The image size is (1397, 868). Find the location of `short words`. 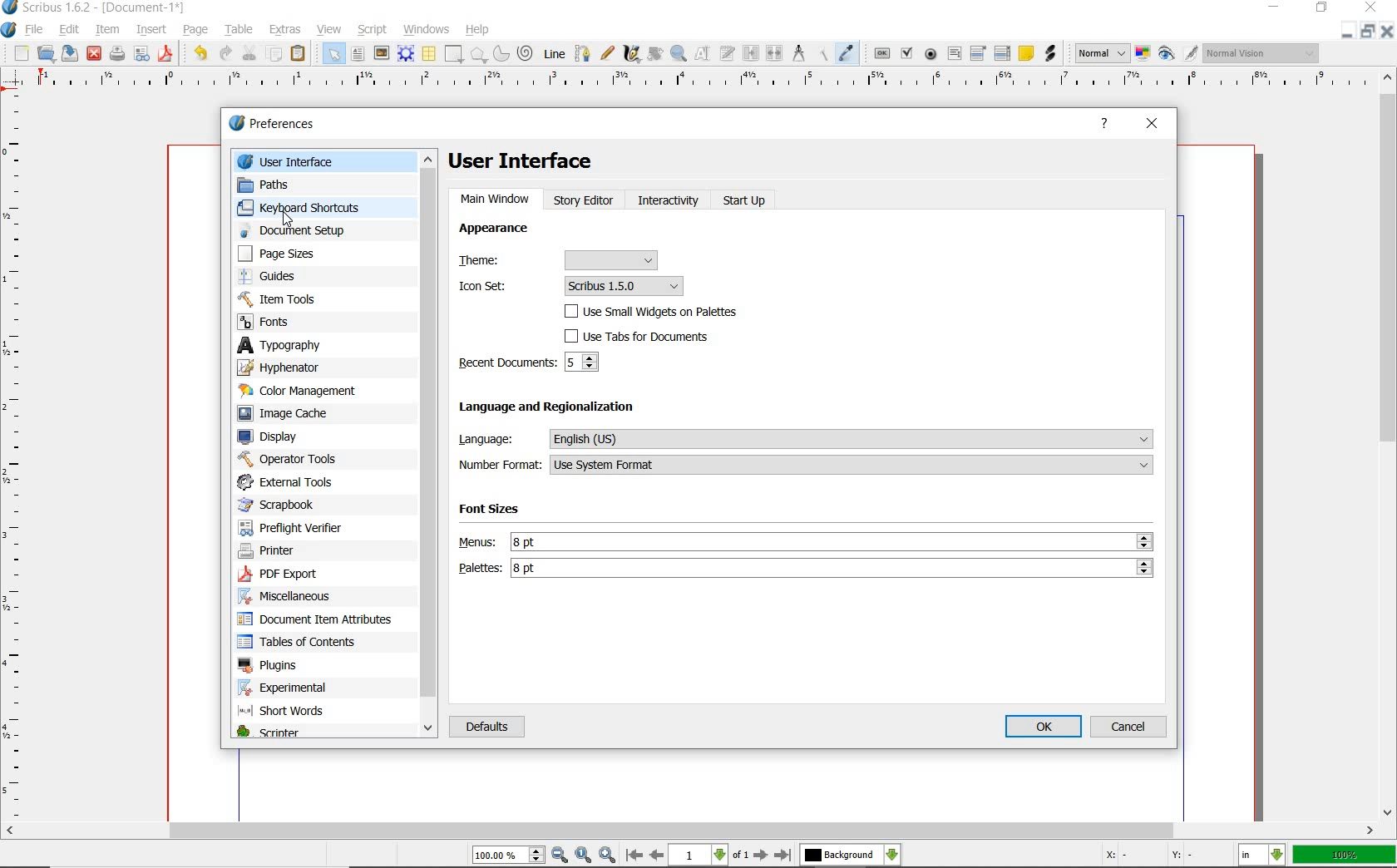

short words is located at coordinates (286, 713).